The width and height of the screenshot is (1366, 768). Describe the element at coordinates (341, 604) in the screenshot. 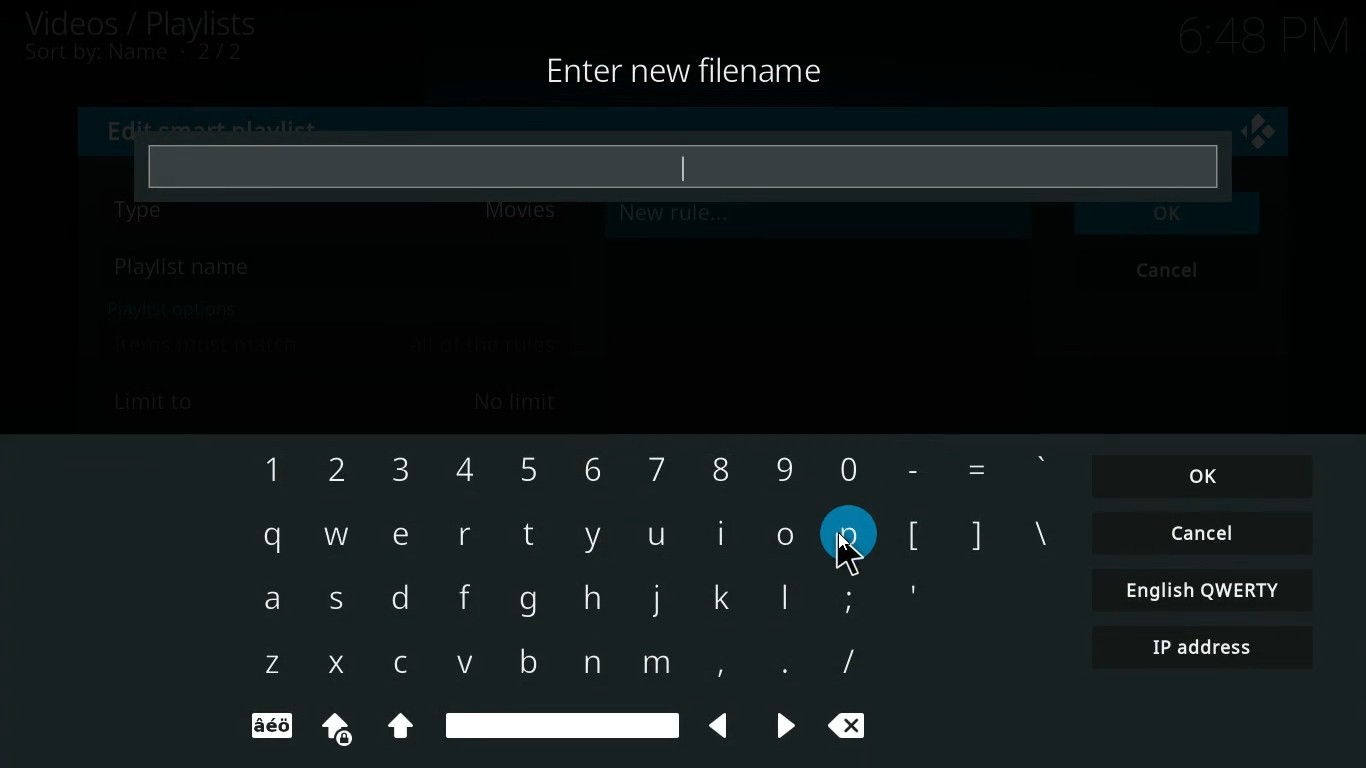

I see `S` at that location.